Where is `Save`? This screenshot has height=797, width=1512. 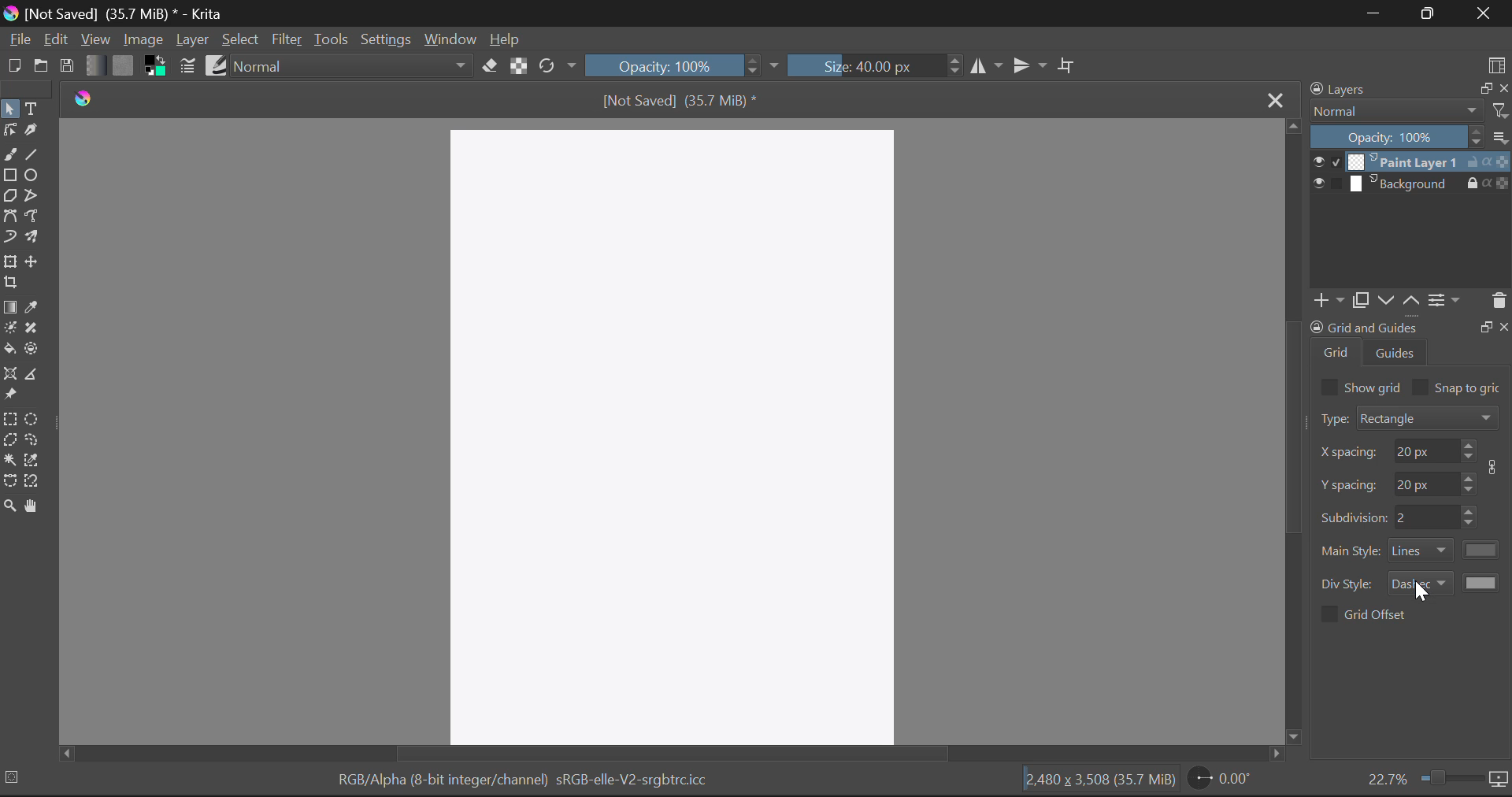 Save is located at coordinates (66, 63).